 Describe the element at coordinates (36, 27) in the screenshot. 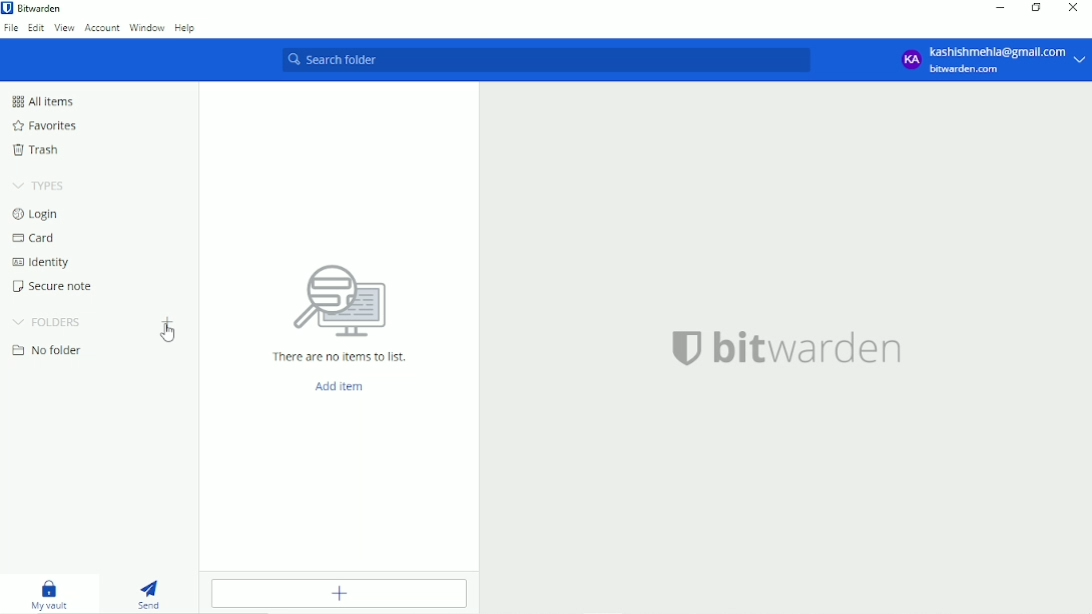

I see `Edit` at that location.